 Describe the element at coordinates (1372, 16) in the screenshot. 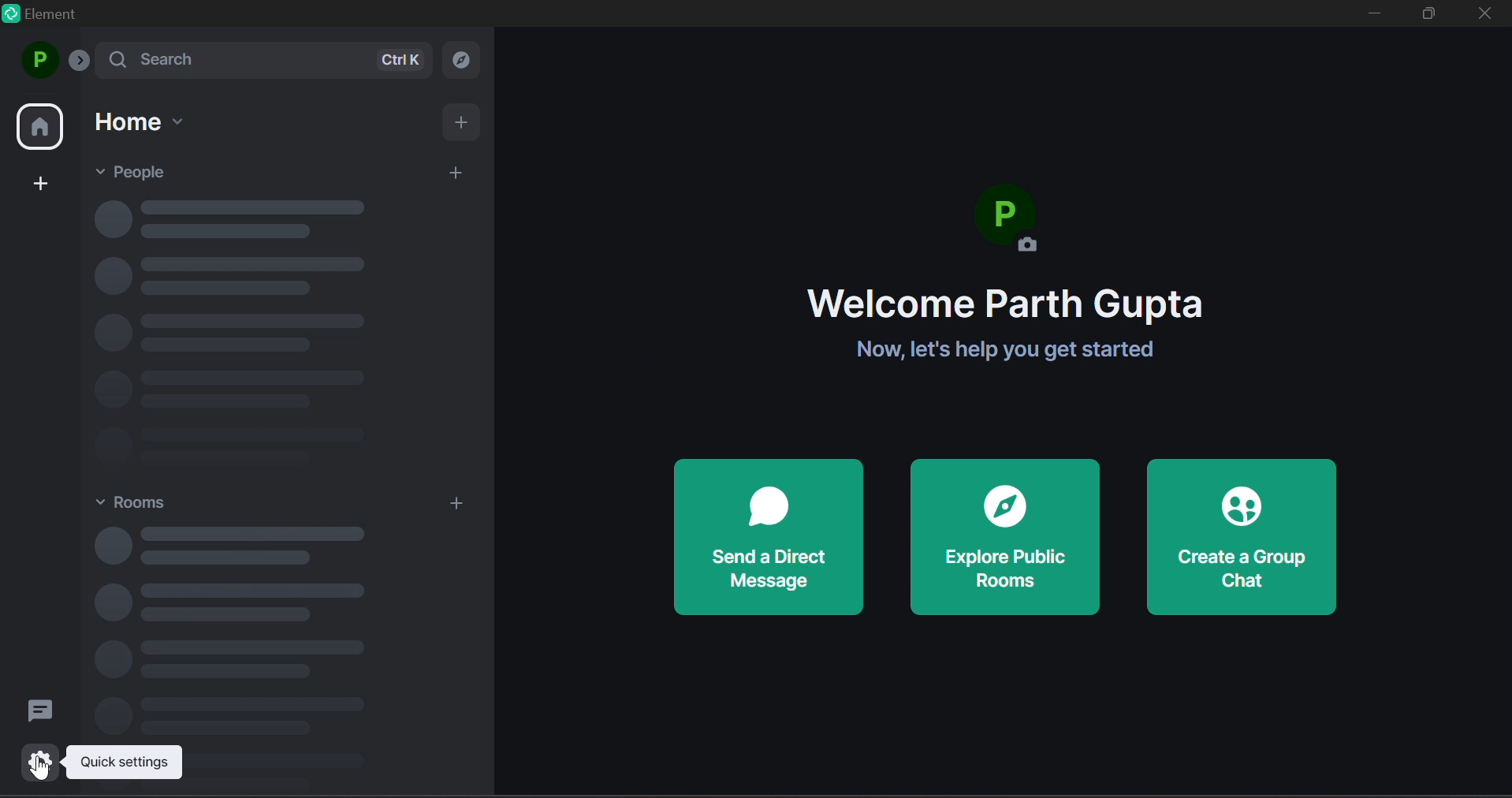

I see `minimize` at that location.